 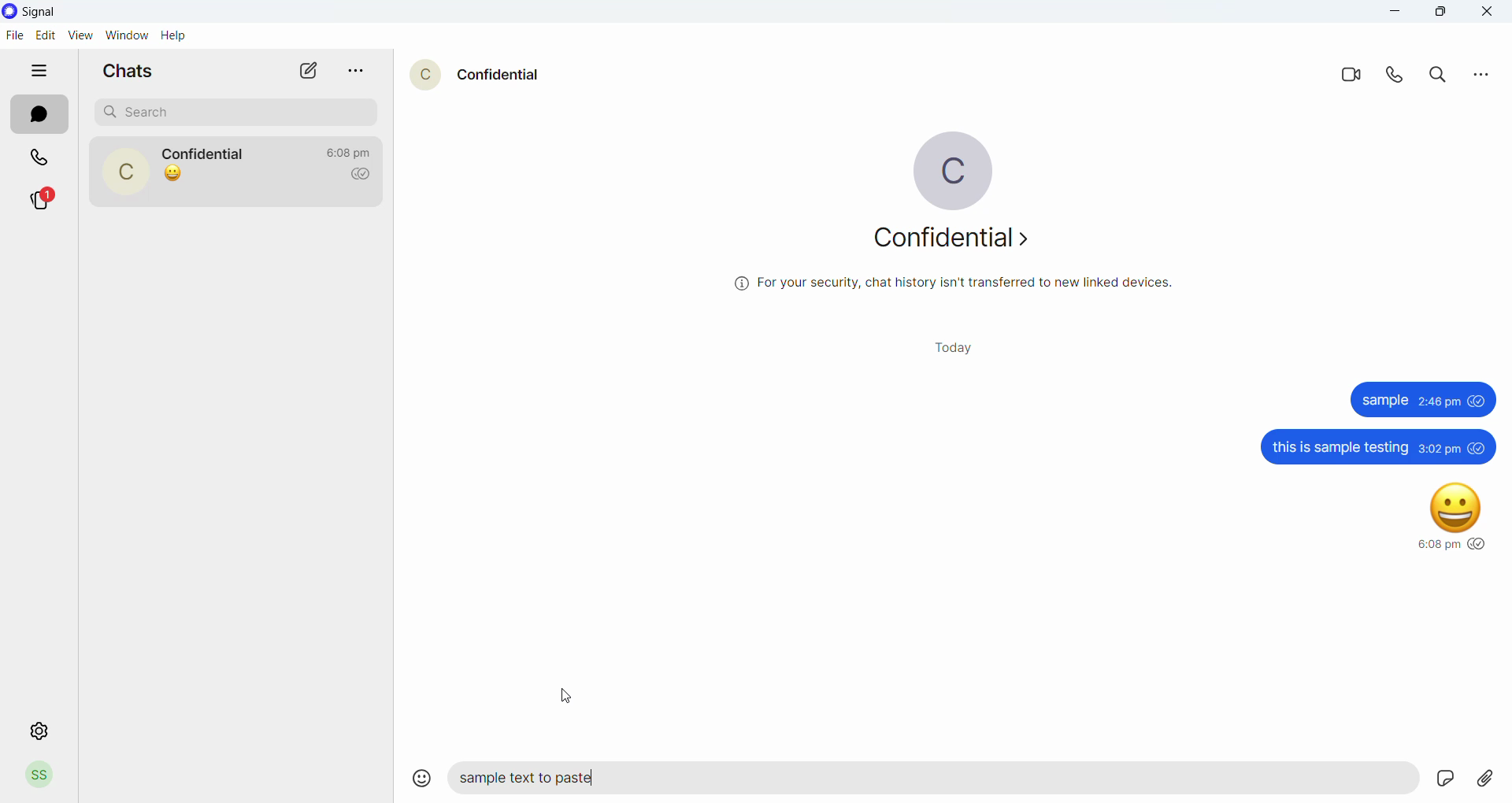 I want to click on maximize, so click(x=1443, y=13).